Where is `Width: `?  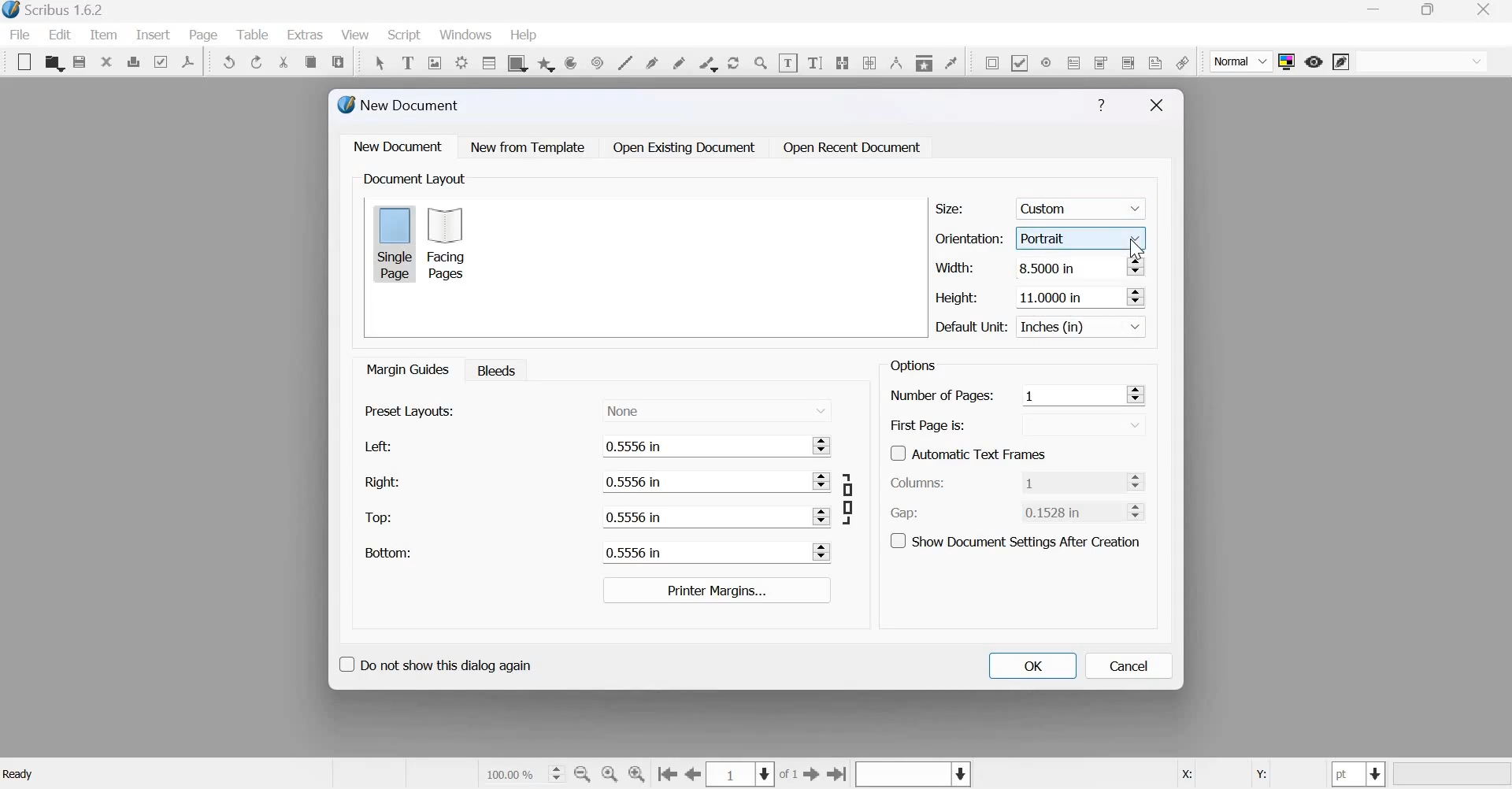
Width:  is located at coordinates (954, 267).